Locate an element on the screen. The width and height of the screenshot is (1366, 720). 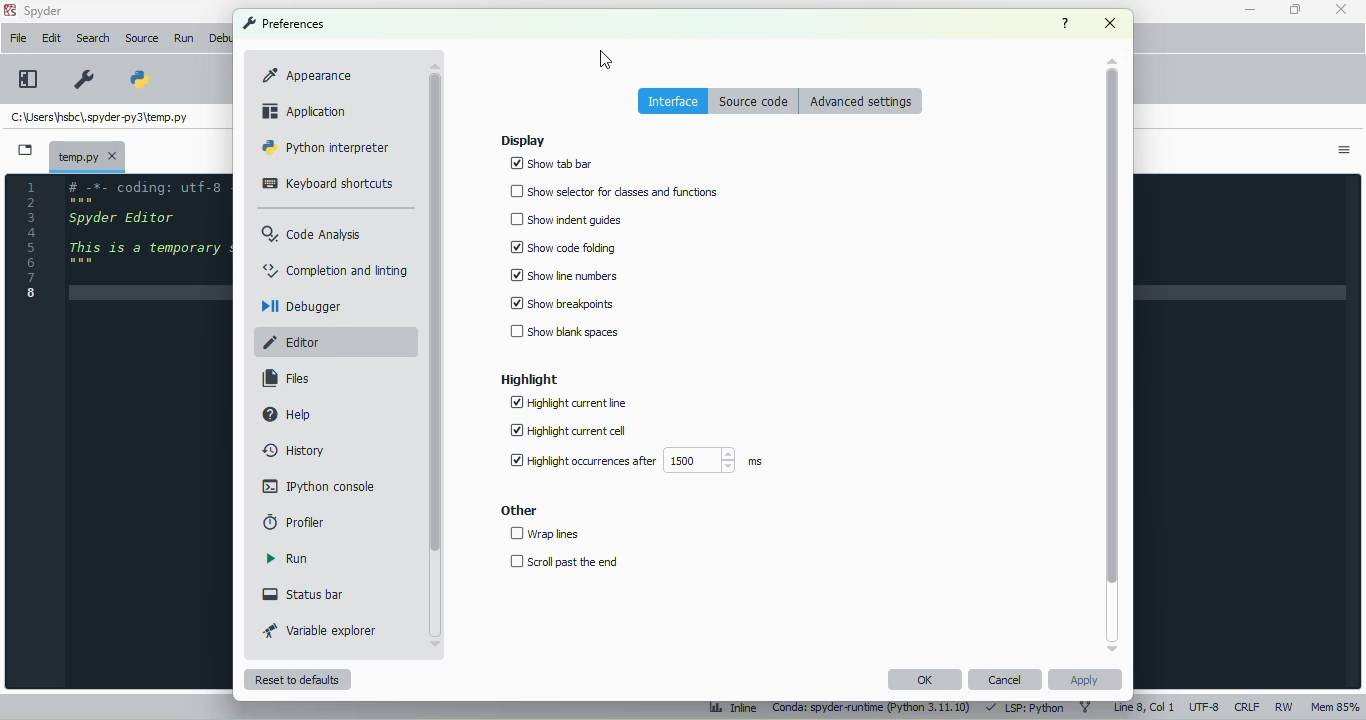
cancel is located at coordinates (1004, 680).